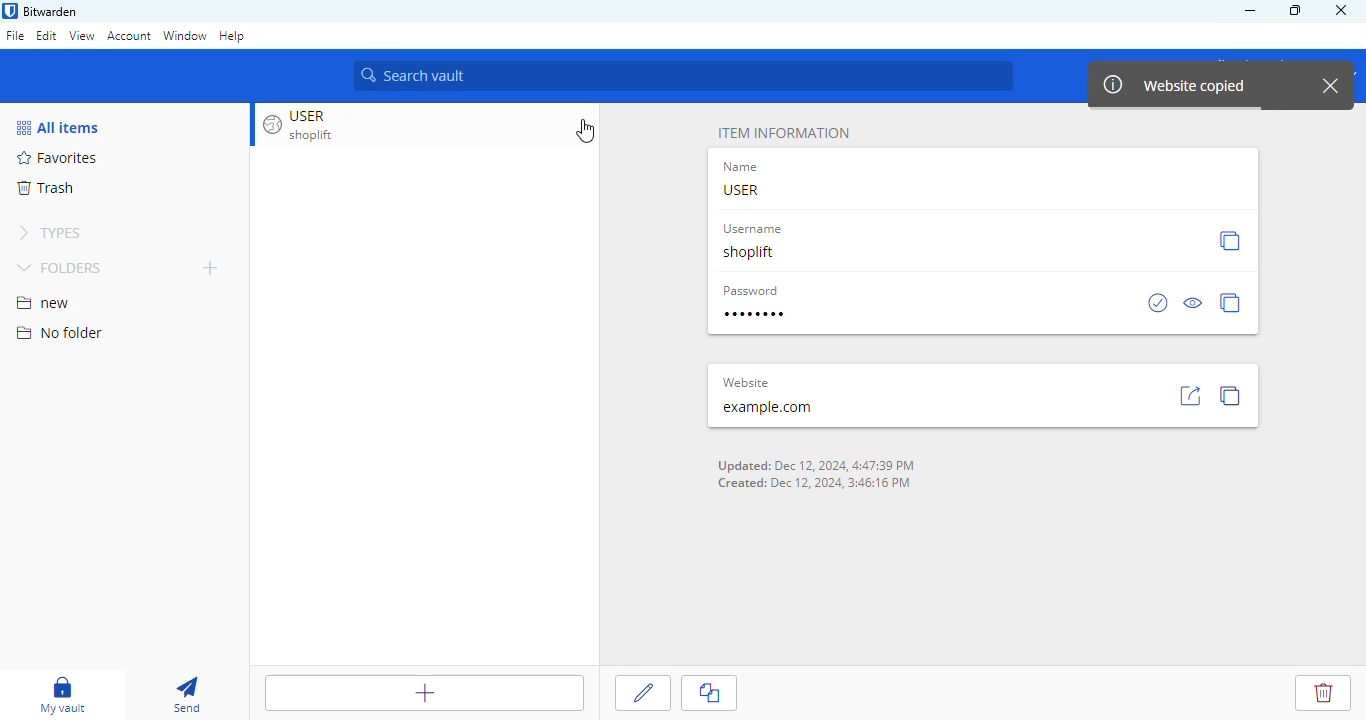  Describe the element at coordinates (45, 188) in the screenshot. I see `trash` at that location.